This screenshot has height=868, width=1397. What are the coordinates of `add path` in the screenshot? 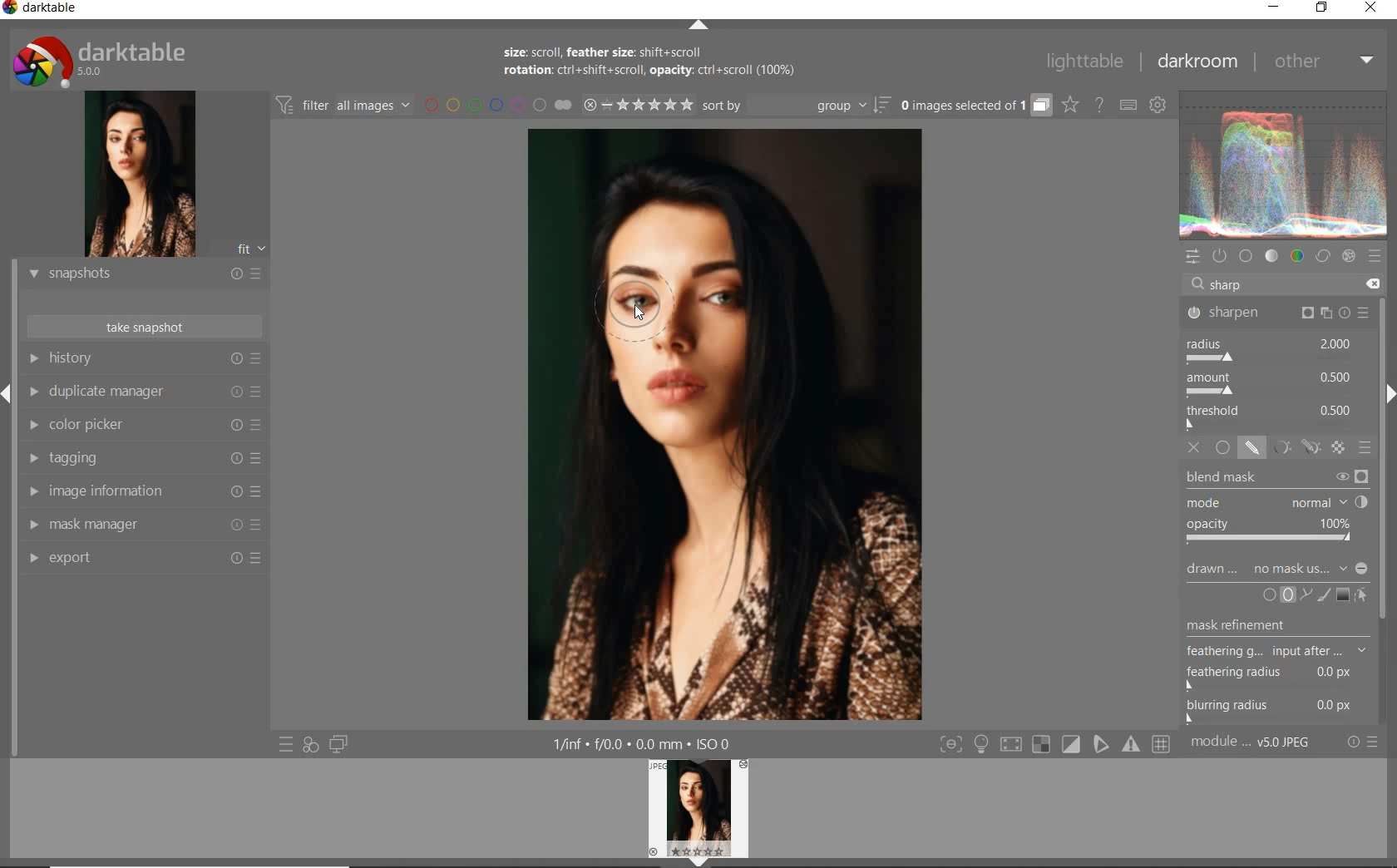 It's located at (1306, 594).